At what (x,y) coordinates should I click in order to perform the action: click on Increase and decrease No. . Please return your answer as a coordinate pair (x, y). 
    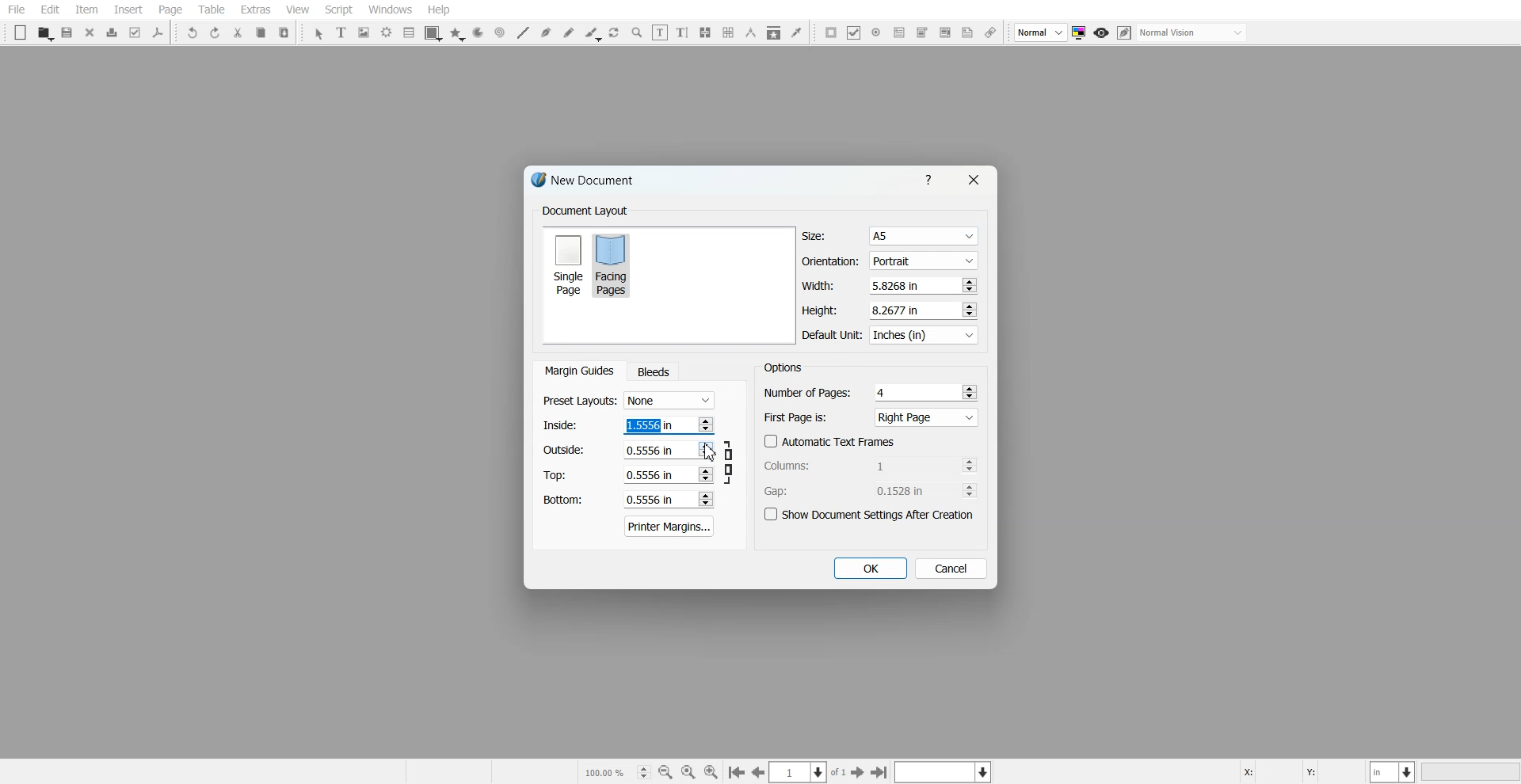
    Looking at the image, I should click on (970, 490).